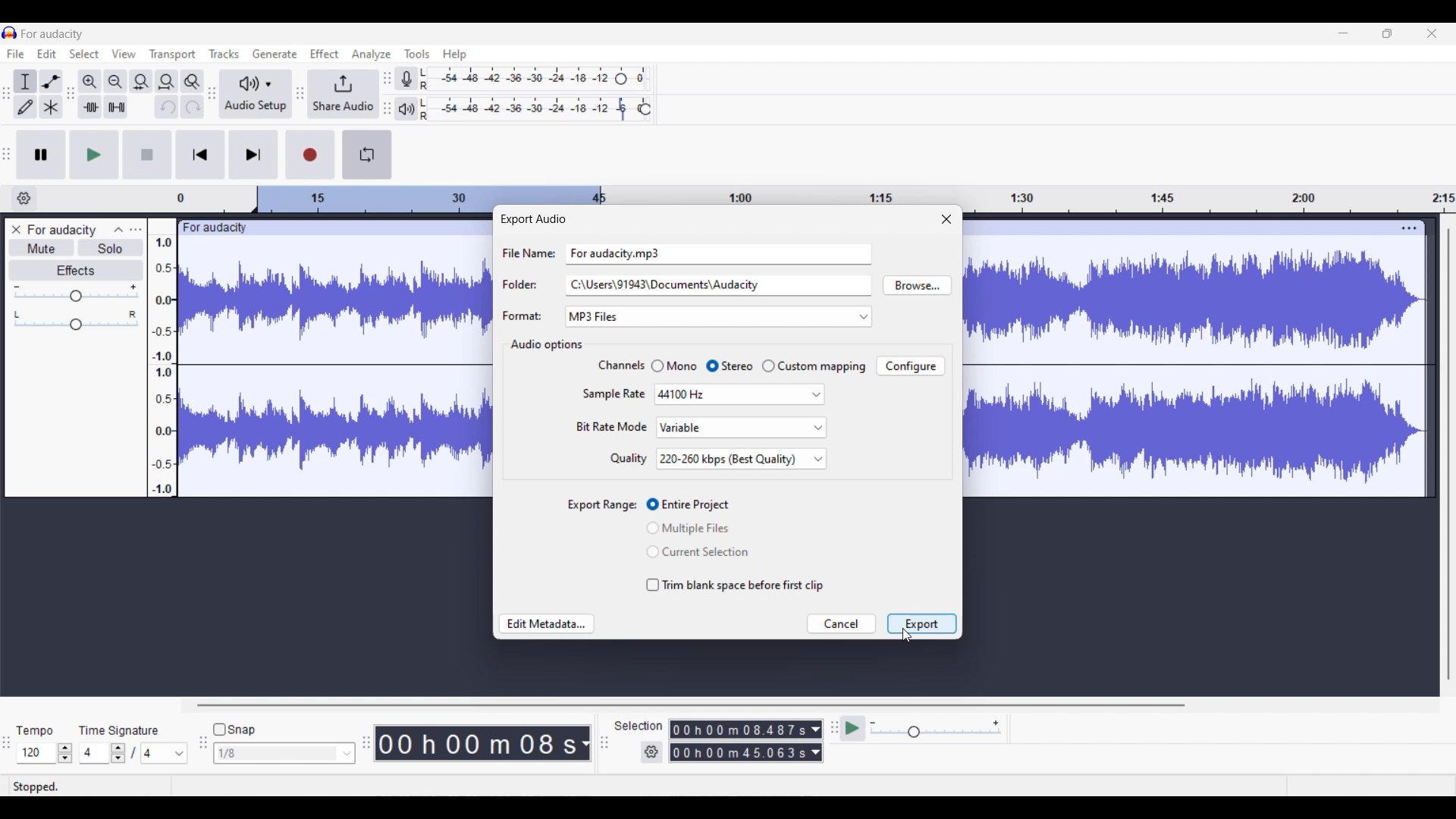 Image resolution: width=1456 pixels, height=819 pixels. I want to click on Quality selection changed, so click(727, 459).